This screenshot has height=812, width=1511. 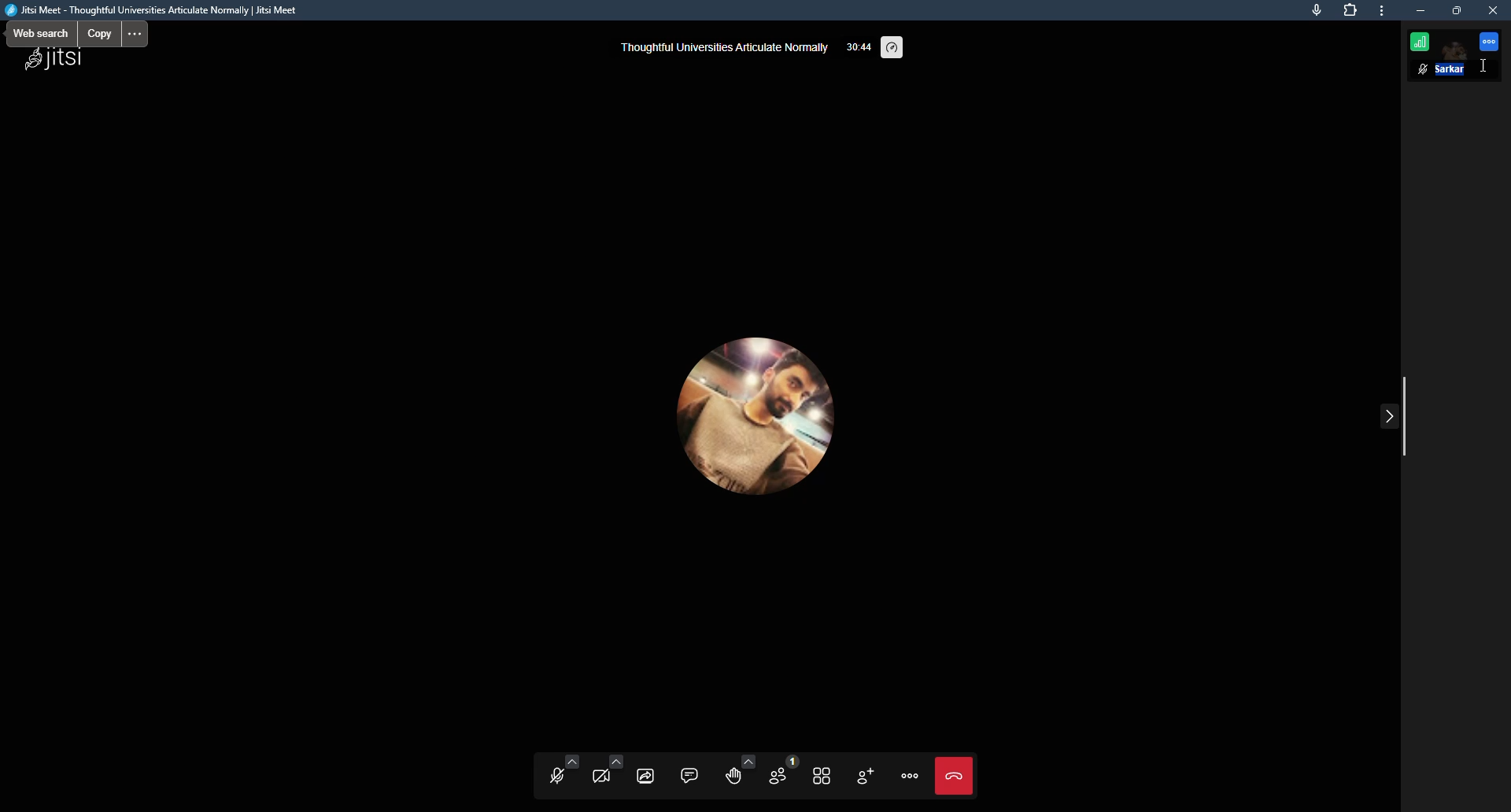 What do you see at coordinates (103, 35) in the screenshot?
I see `copy` at bounding box center [103, 35].